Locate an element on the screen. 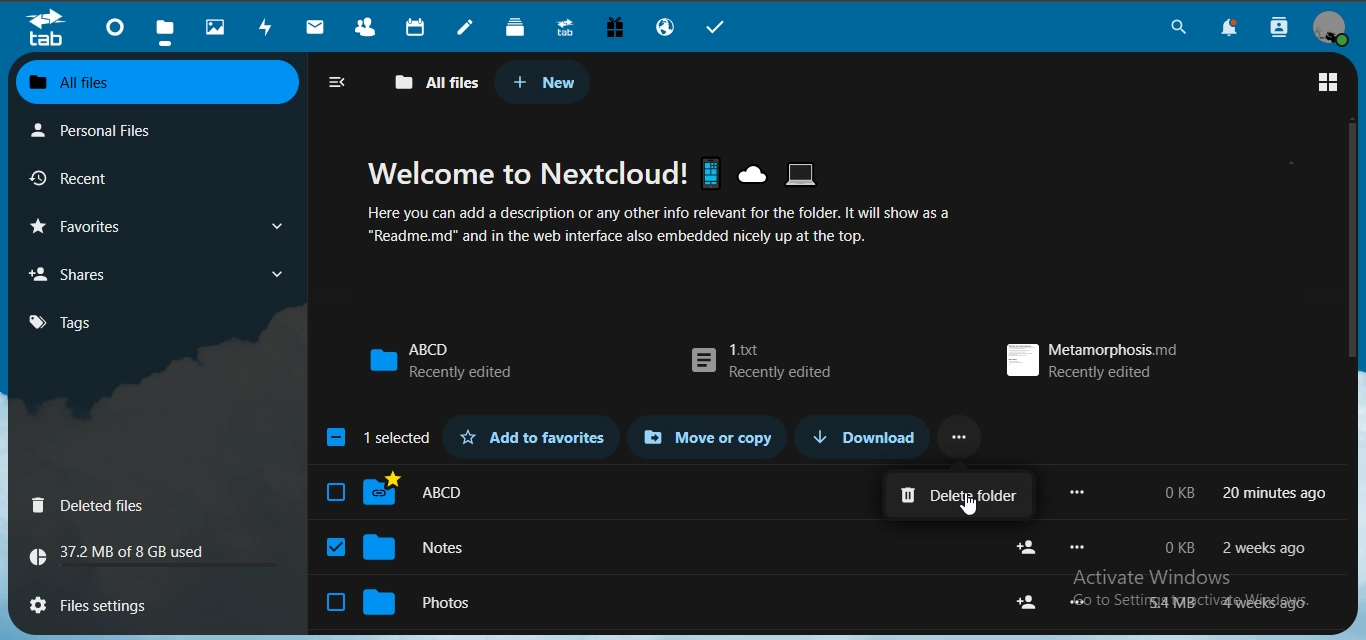 This screenshot has width=1366, height=640. email hosting is located at coordinates (664, 25).